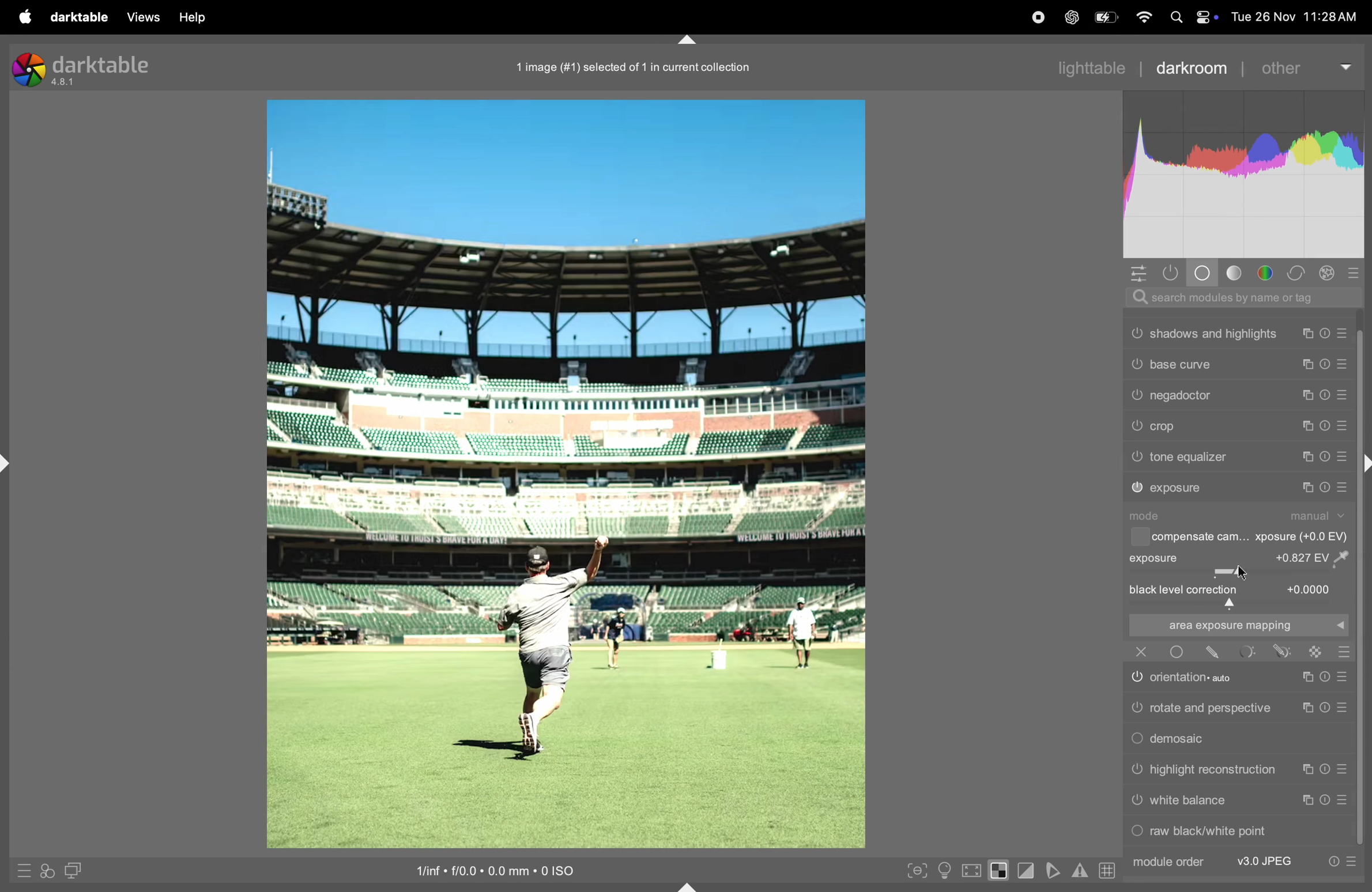 The height and width of the screenshot is (892, 1372). I want to click on Transparency , so click(1316, 652).